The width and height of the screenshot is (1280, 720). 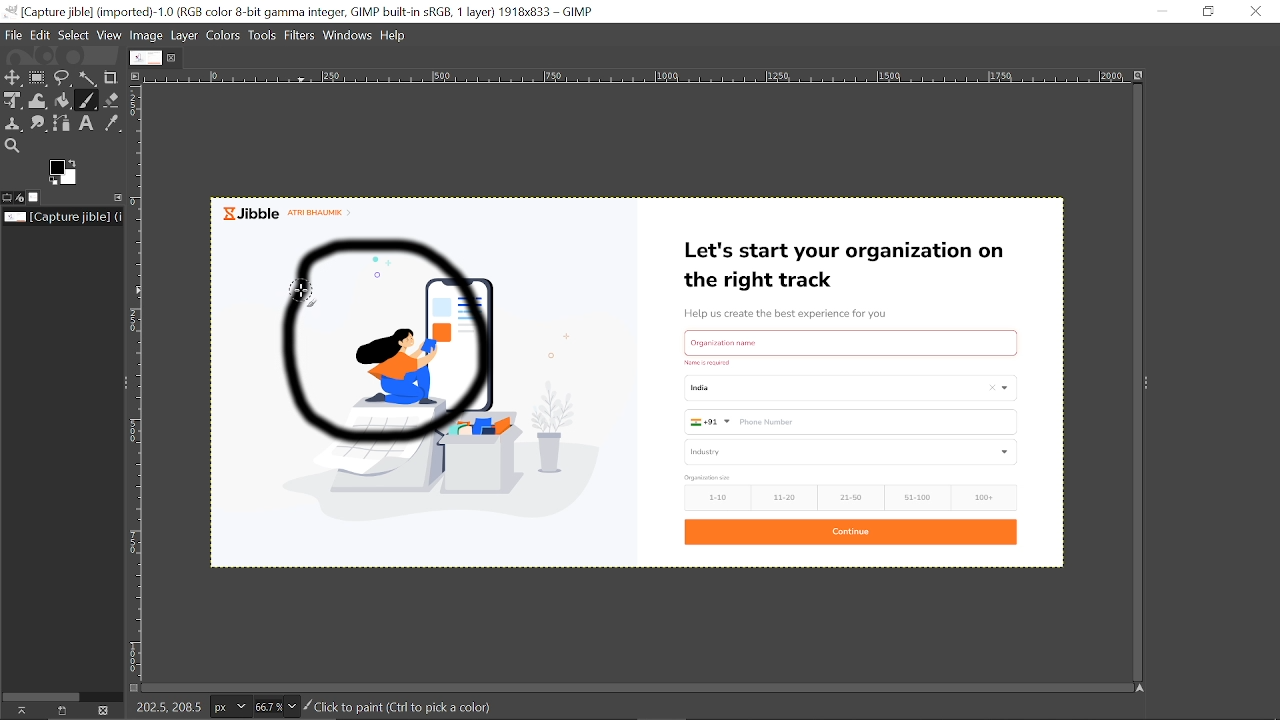 I want to click on Windows, so click(x=349, y=36).